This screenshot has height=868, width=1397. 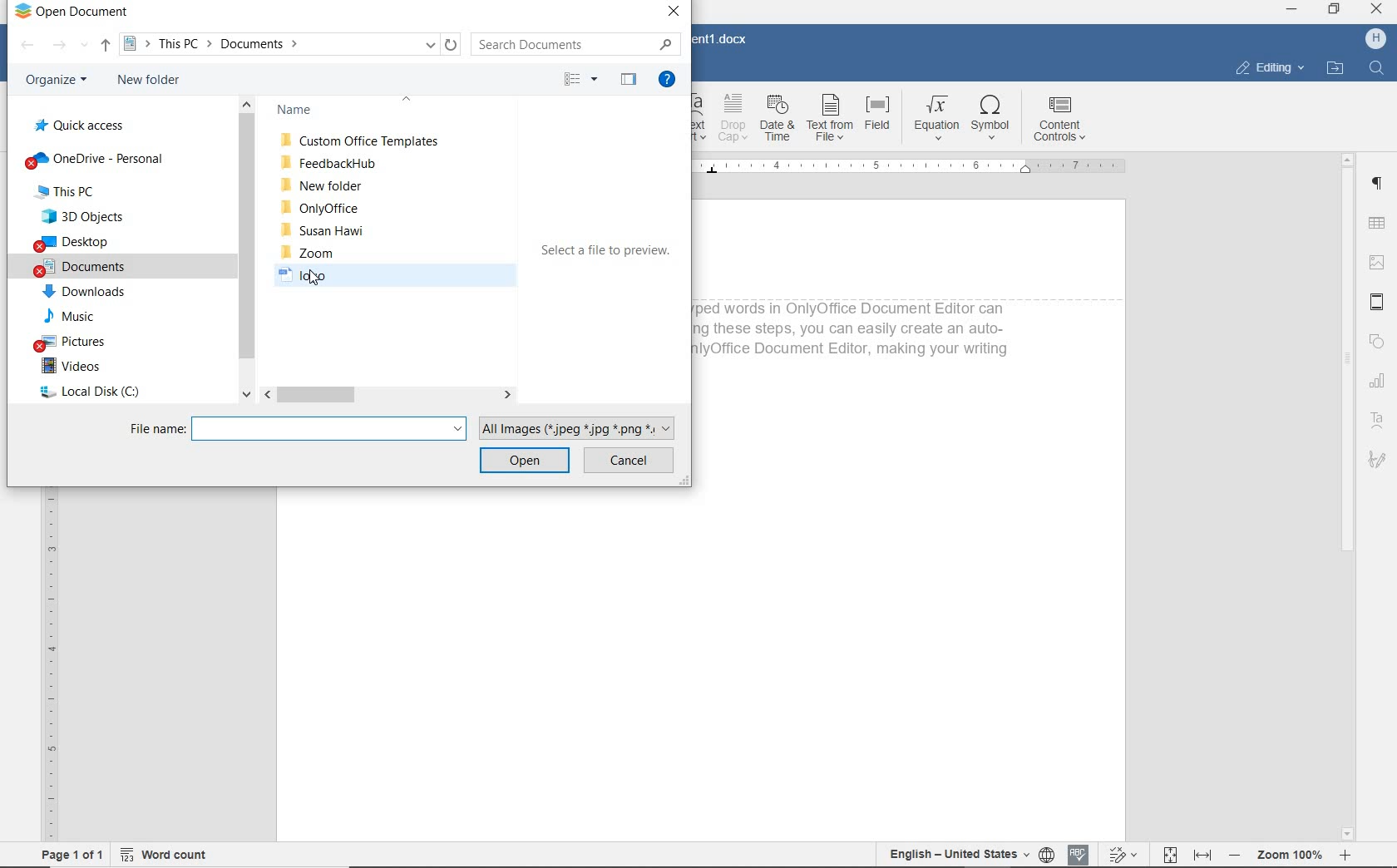 I want to click on DOCUMENT .docx, so click(x=724, y=38).